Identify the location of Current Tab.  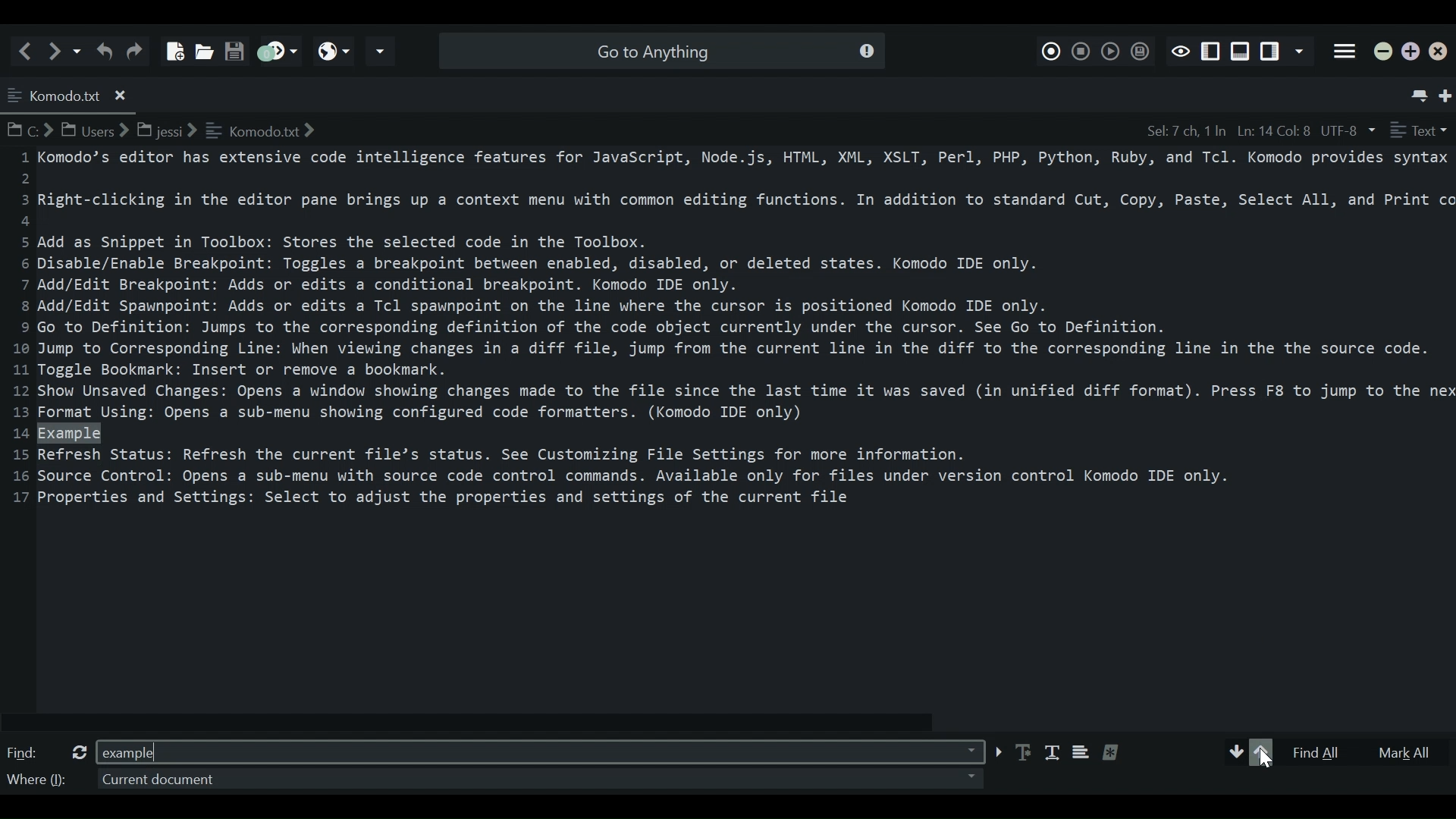
(70, 93).